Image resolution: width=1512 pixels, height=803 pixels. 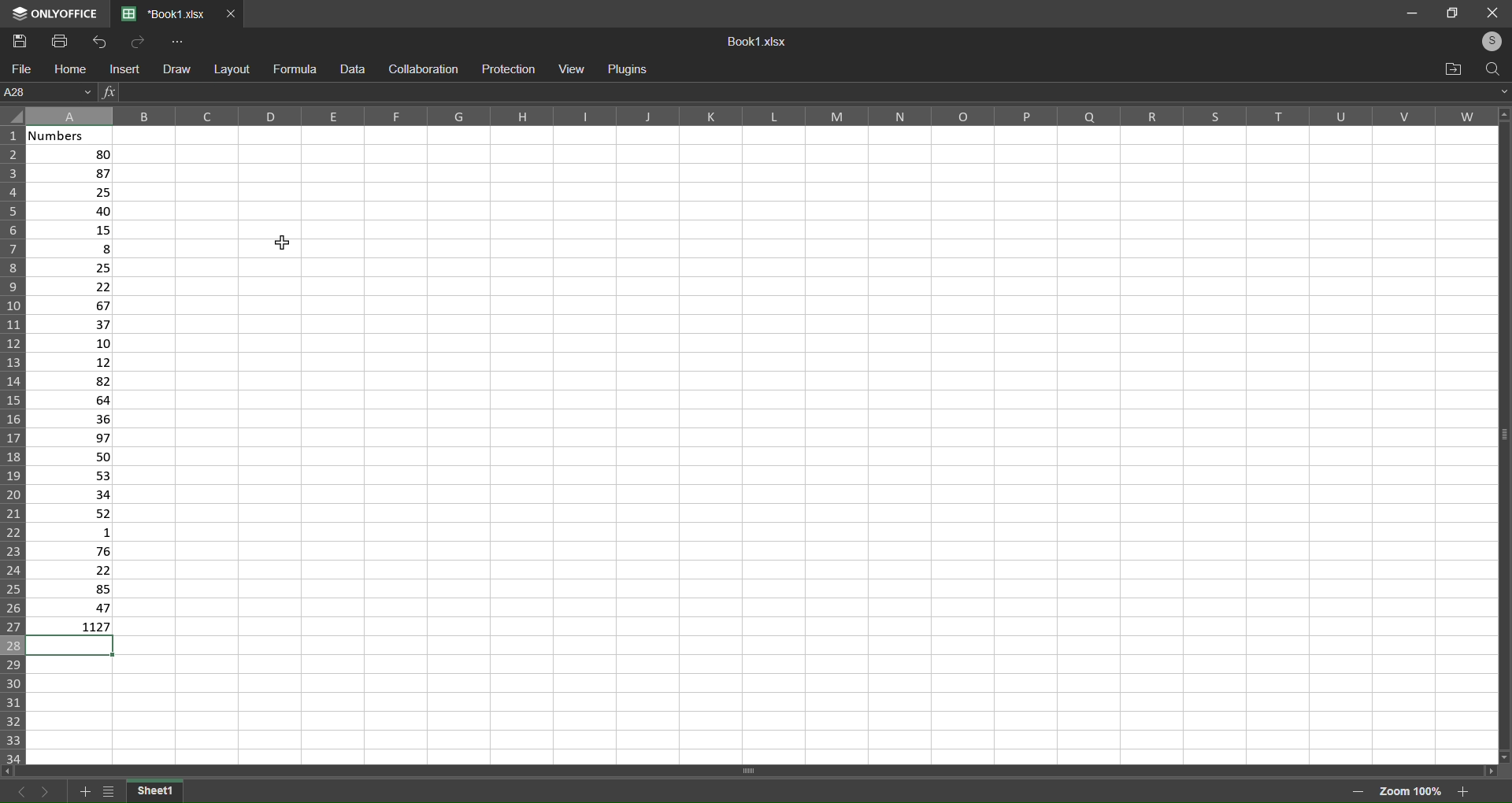 I want to click on move down, so click(x=1502, y=755).